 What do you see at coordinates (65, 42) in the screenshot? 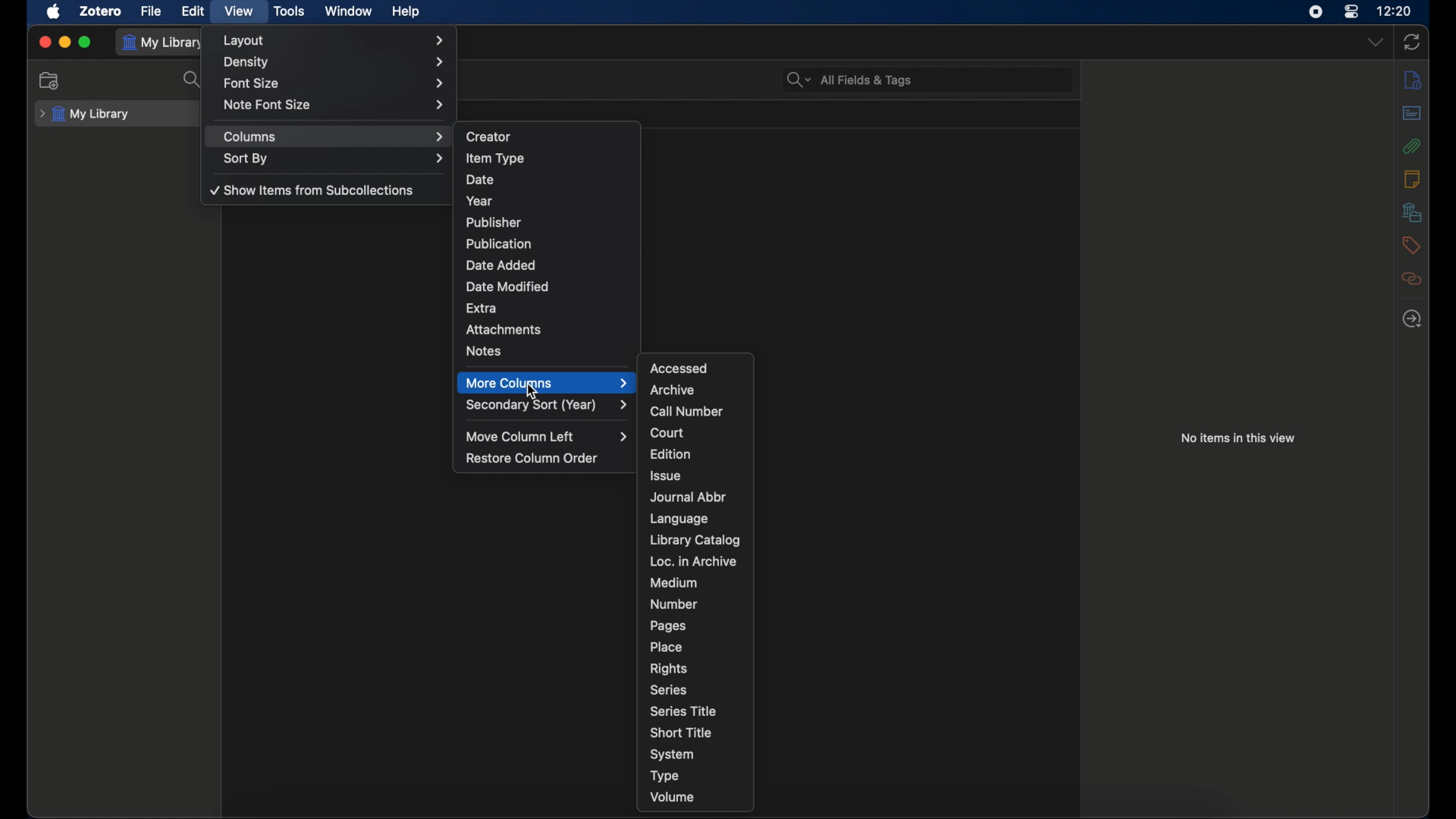
I see `minimize` at bounding box center [65, 42].